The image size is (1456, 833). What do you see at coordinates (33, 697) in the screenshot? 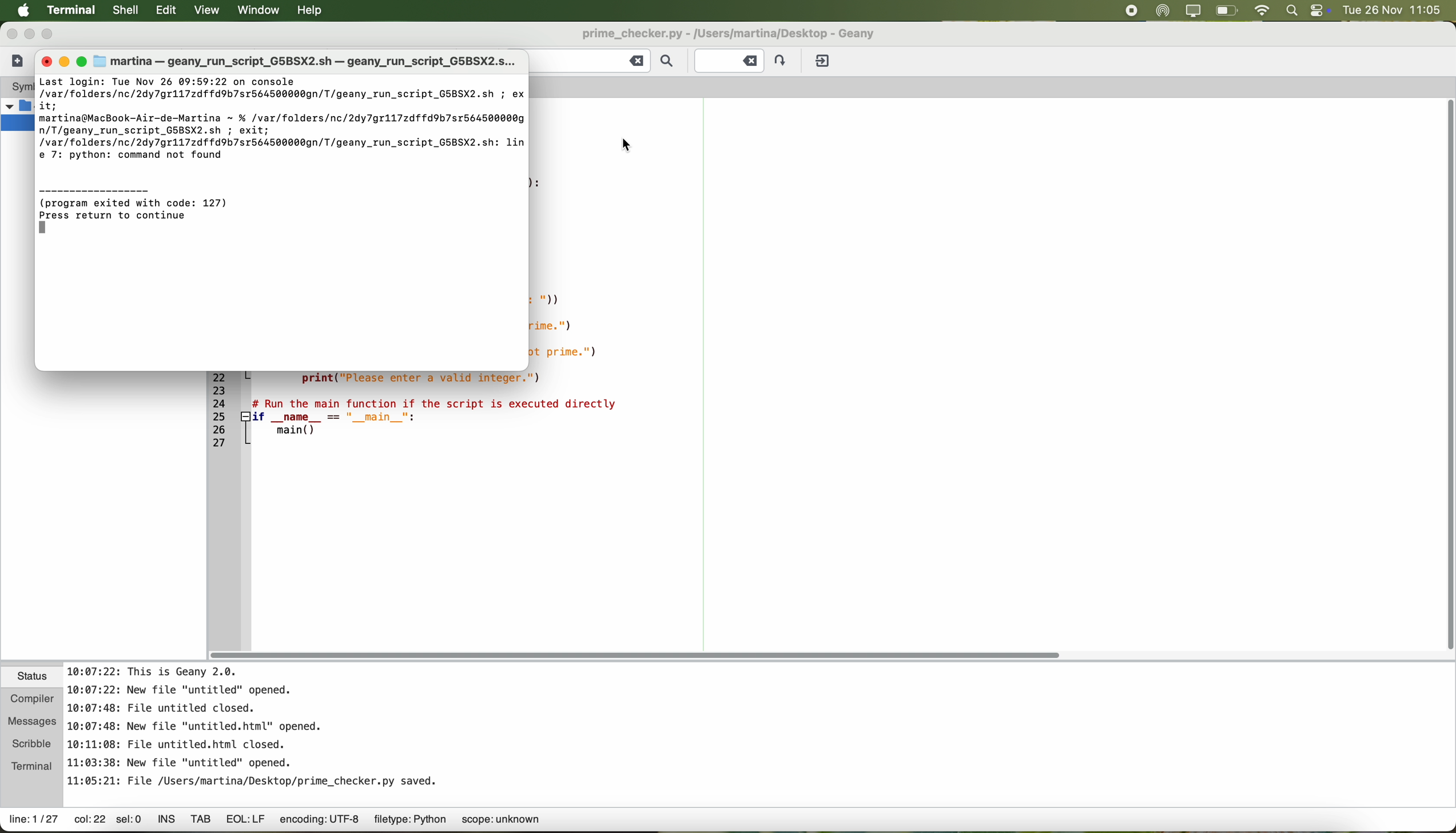
I see `compiler` at bounding box center [33, 697].